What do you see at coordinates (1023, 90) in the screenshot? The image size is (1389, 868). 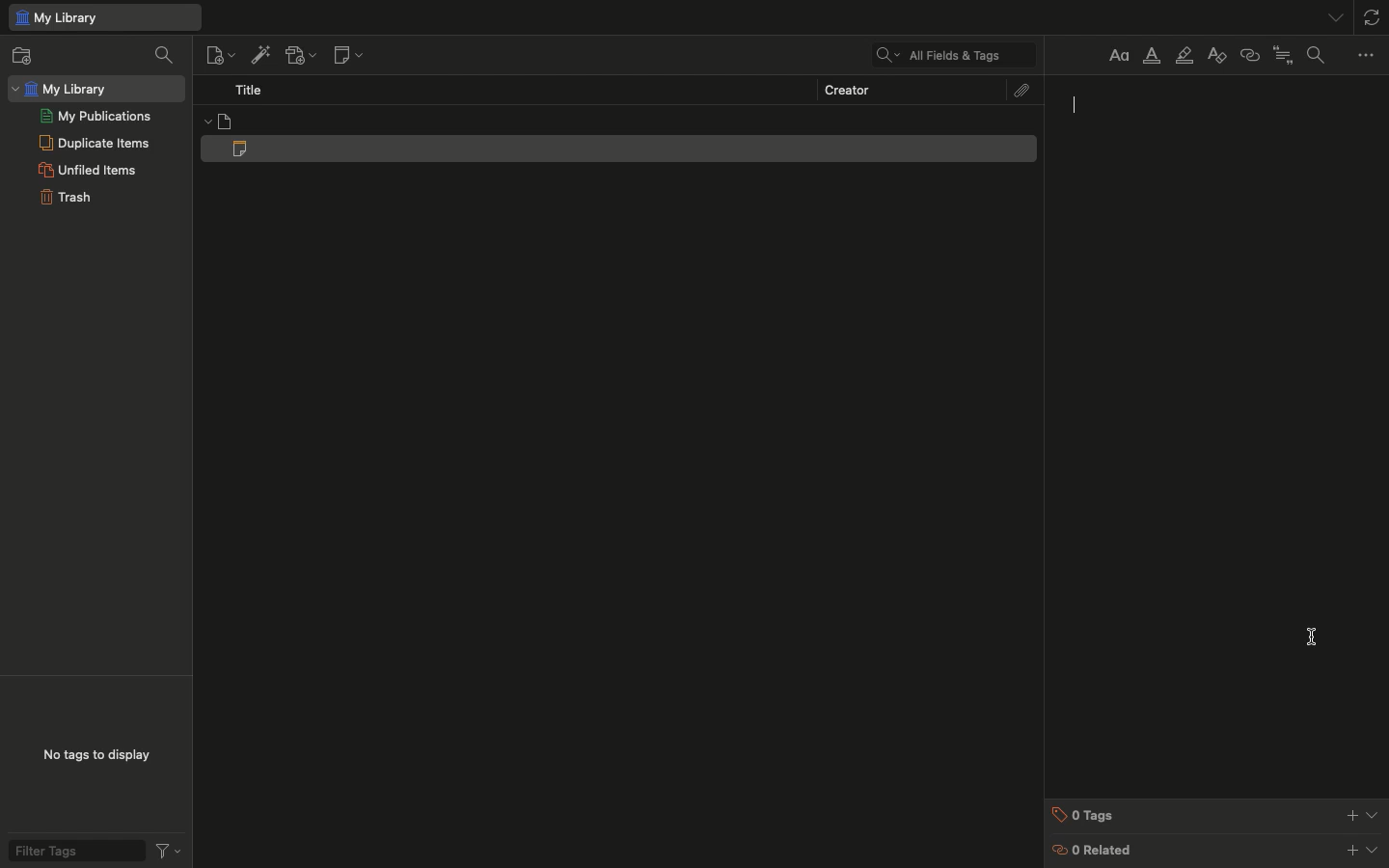 I see `Attachments` at bounding box center [1023, 90].